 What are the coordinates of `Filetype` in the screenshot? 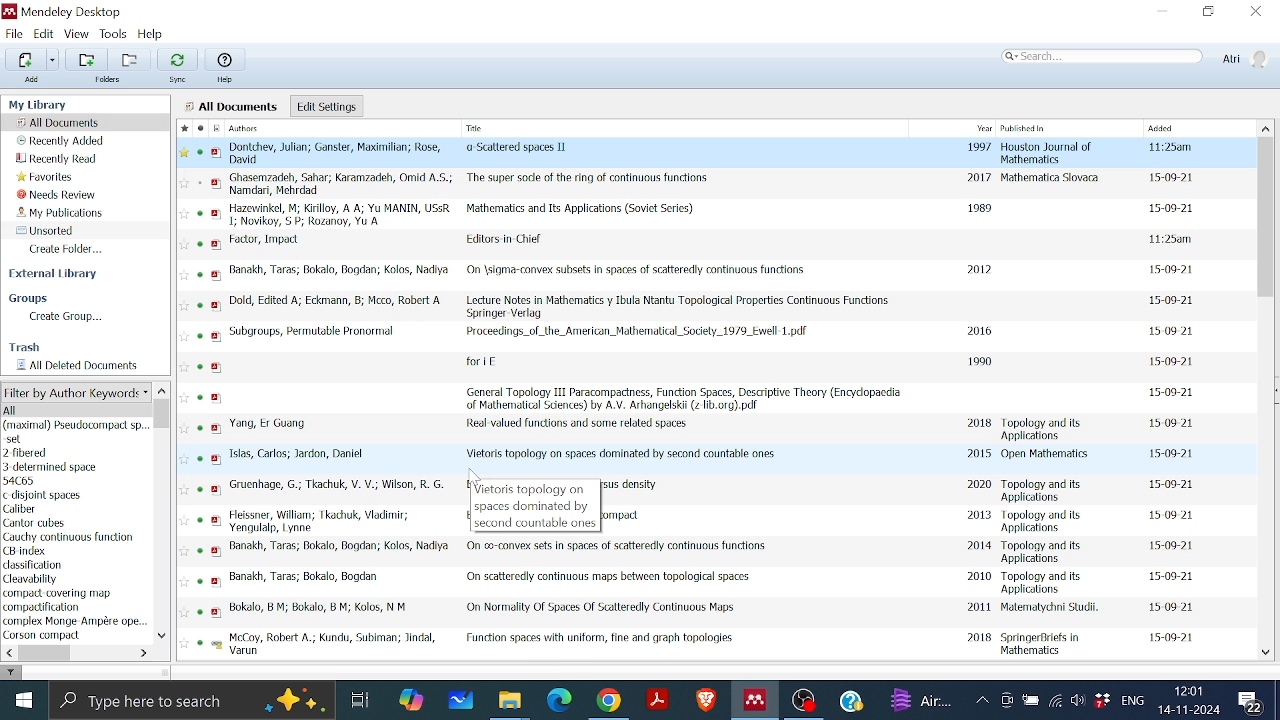 It's located at (220, 130).